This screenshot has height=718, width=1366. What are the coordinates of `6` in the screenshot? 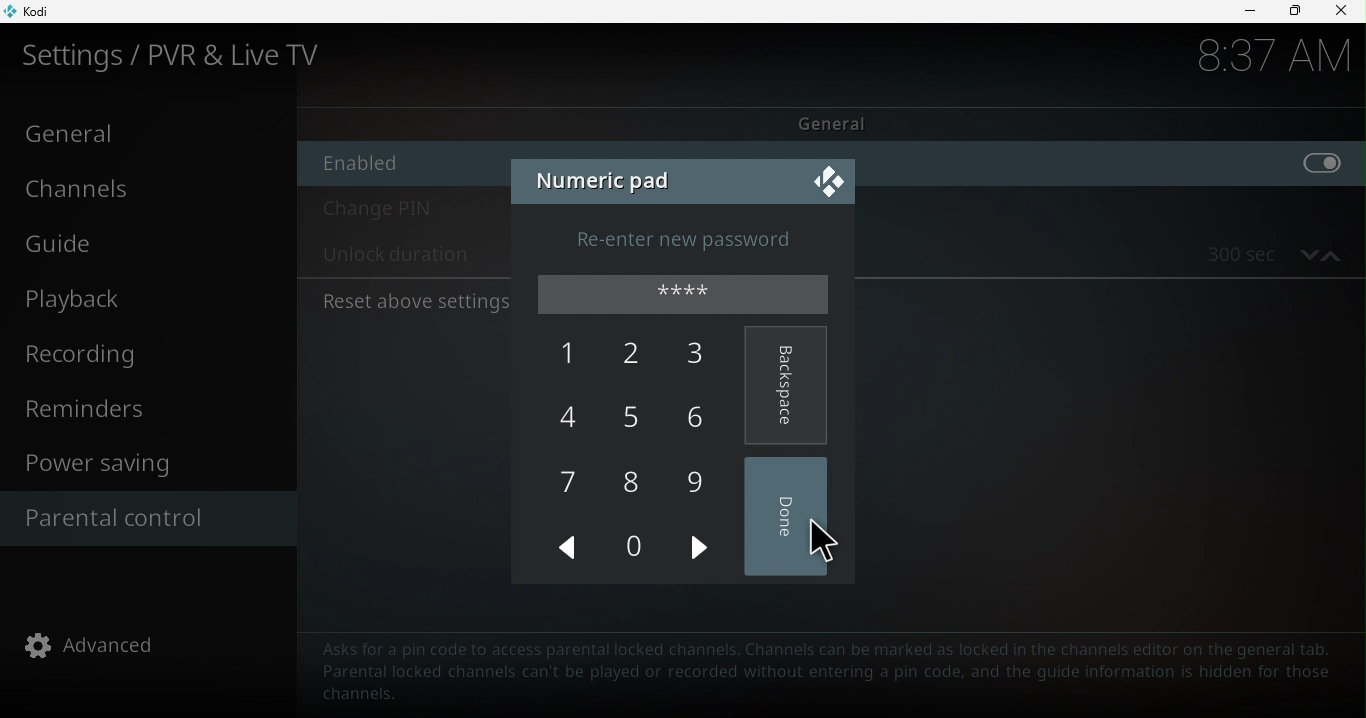 It's located at (710, 416).